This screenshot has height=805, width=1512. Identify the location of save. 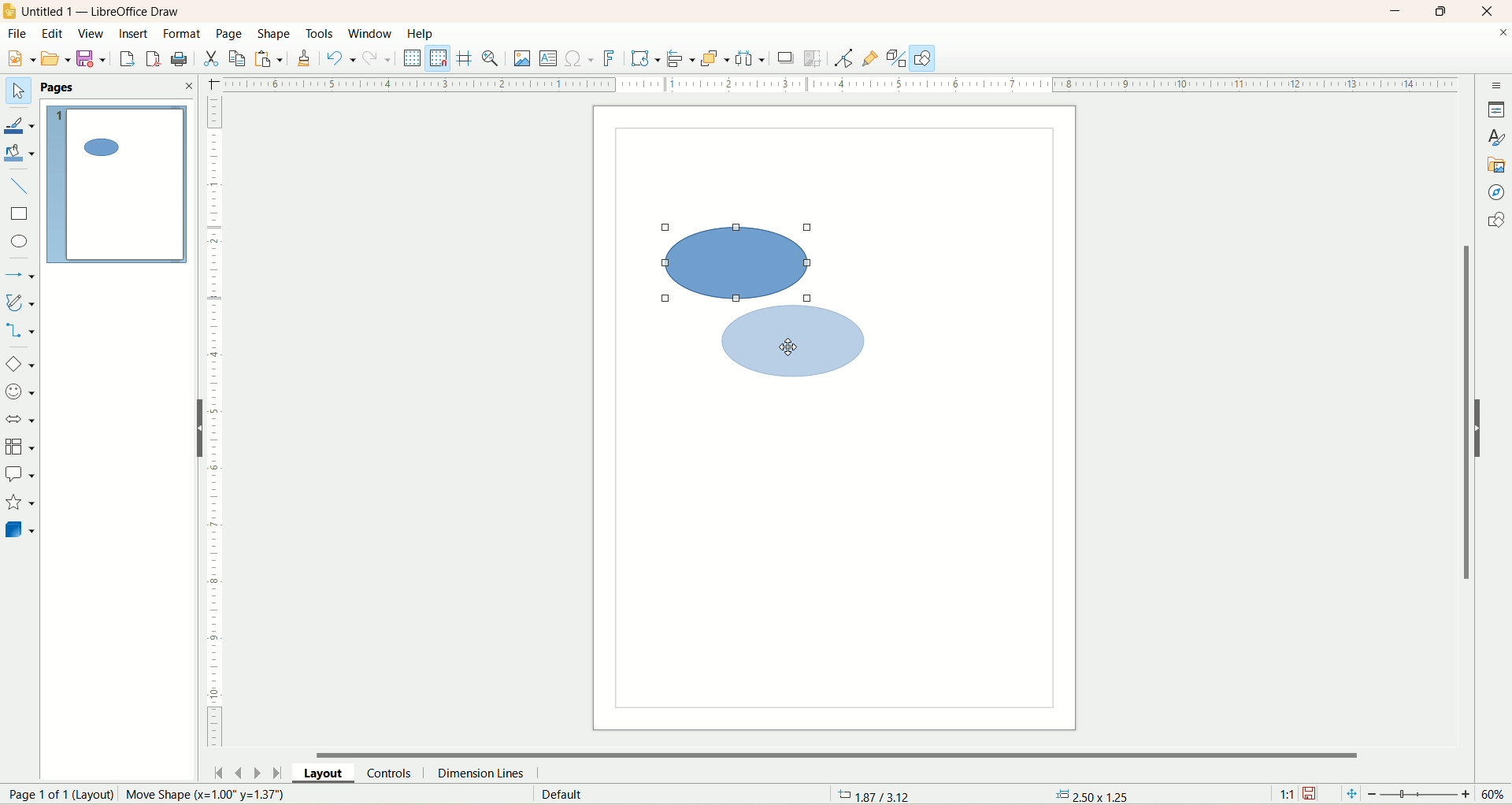
(91, 60).